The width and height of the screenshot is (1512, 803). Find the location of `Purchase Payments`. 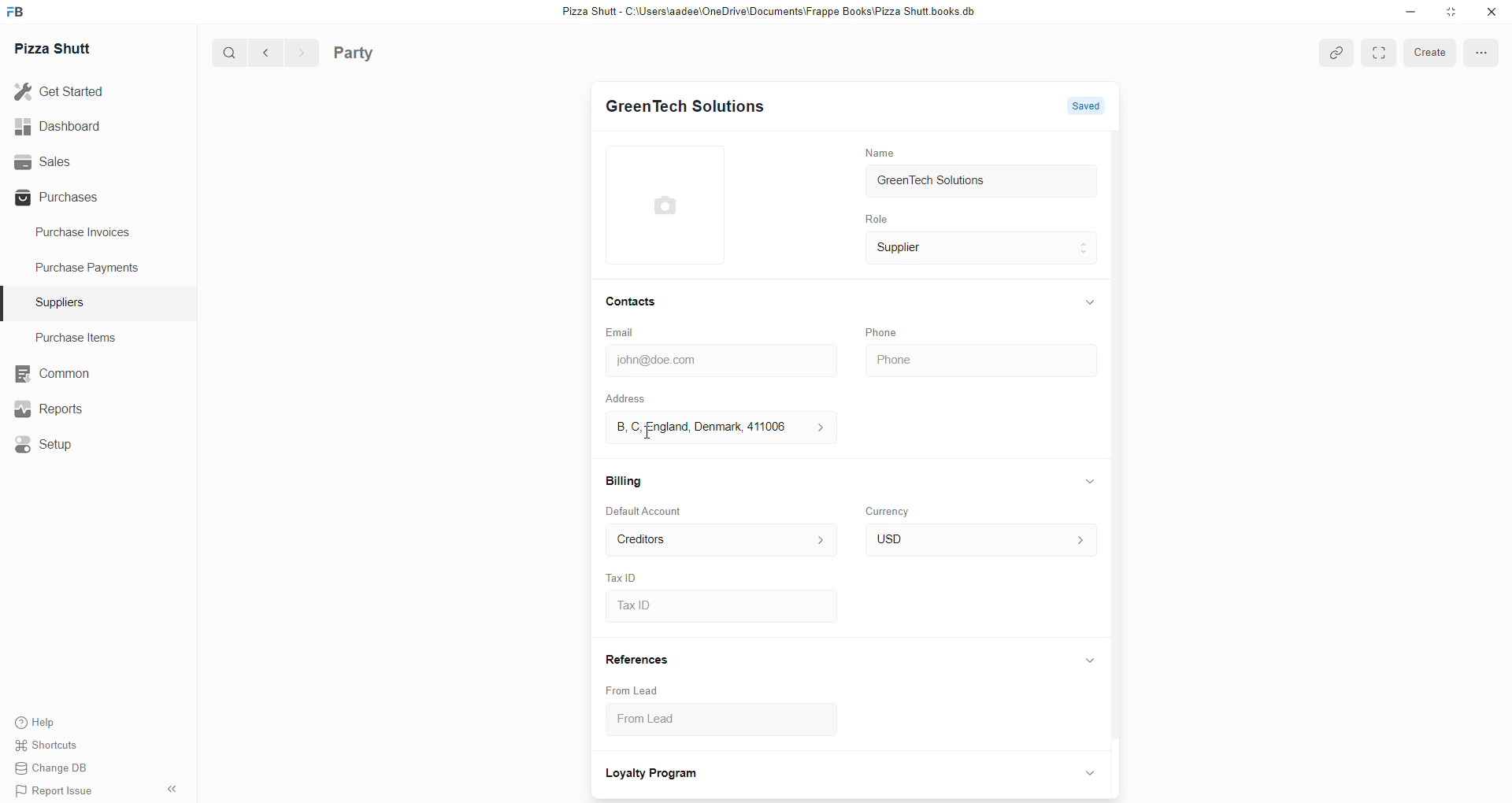

Purchase Payments is located at coordinates (89, 270).